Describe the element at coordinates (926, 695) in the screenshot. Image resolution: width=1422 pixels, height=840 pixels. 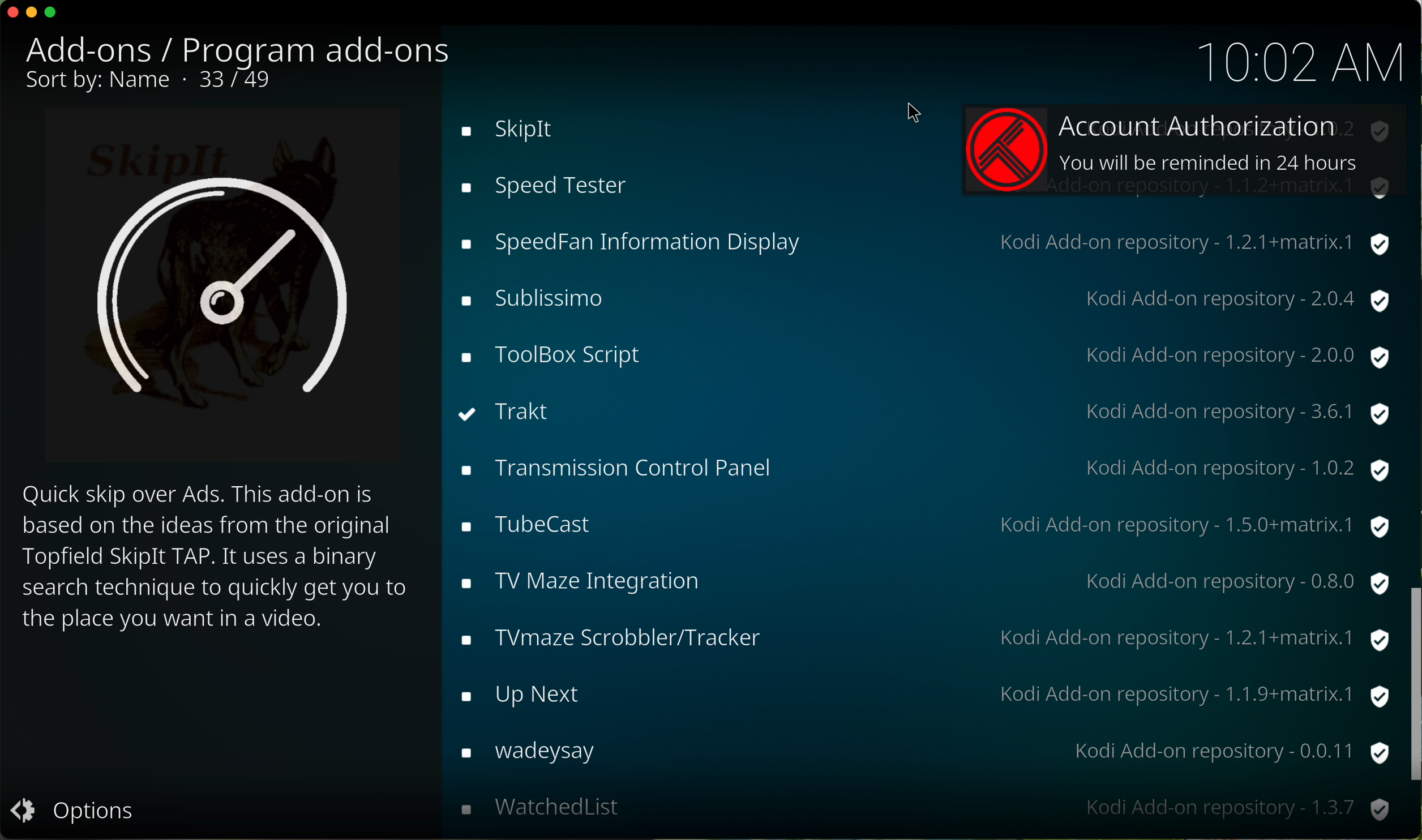
I see `where are you` at that location.